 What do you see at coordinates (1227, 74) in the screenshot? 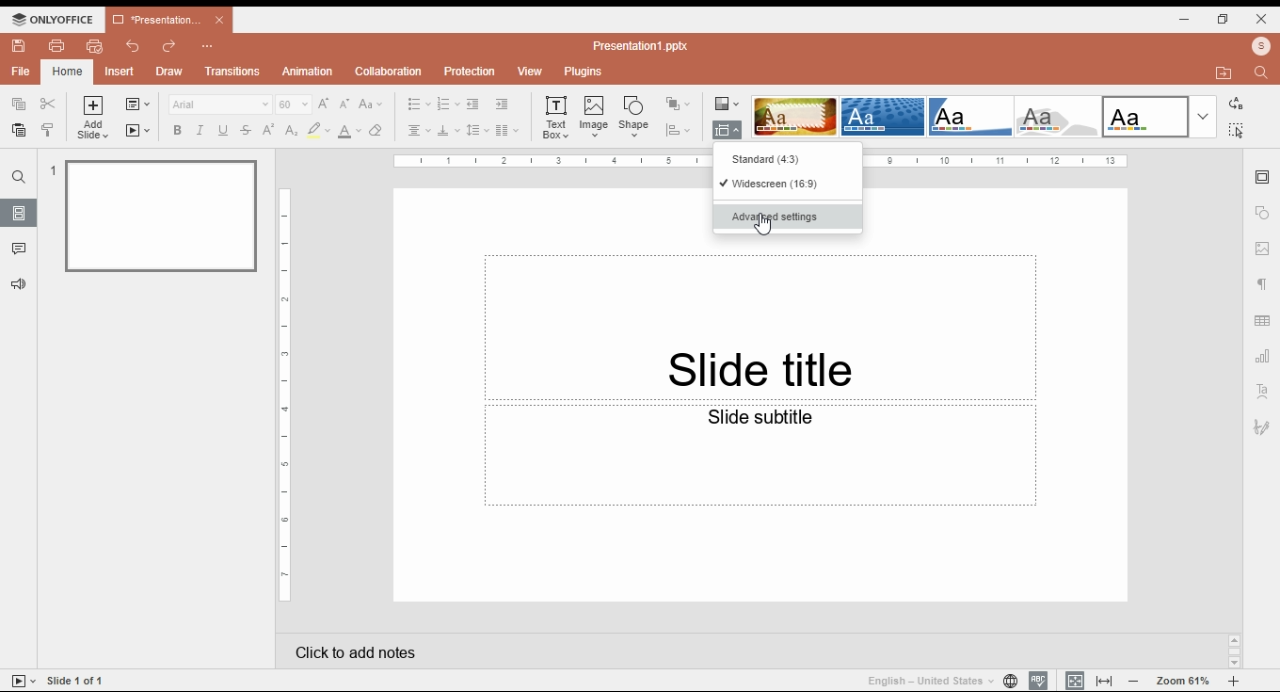
I see `open file location` at bounding box center [1227, 74].